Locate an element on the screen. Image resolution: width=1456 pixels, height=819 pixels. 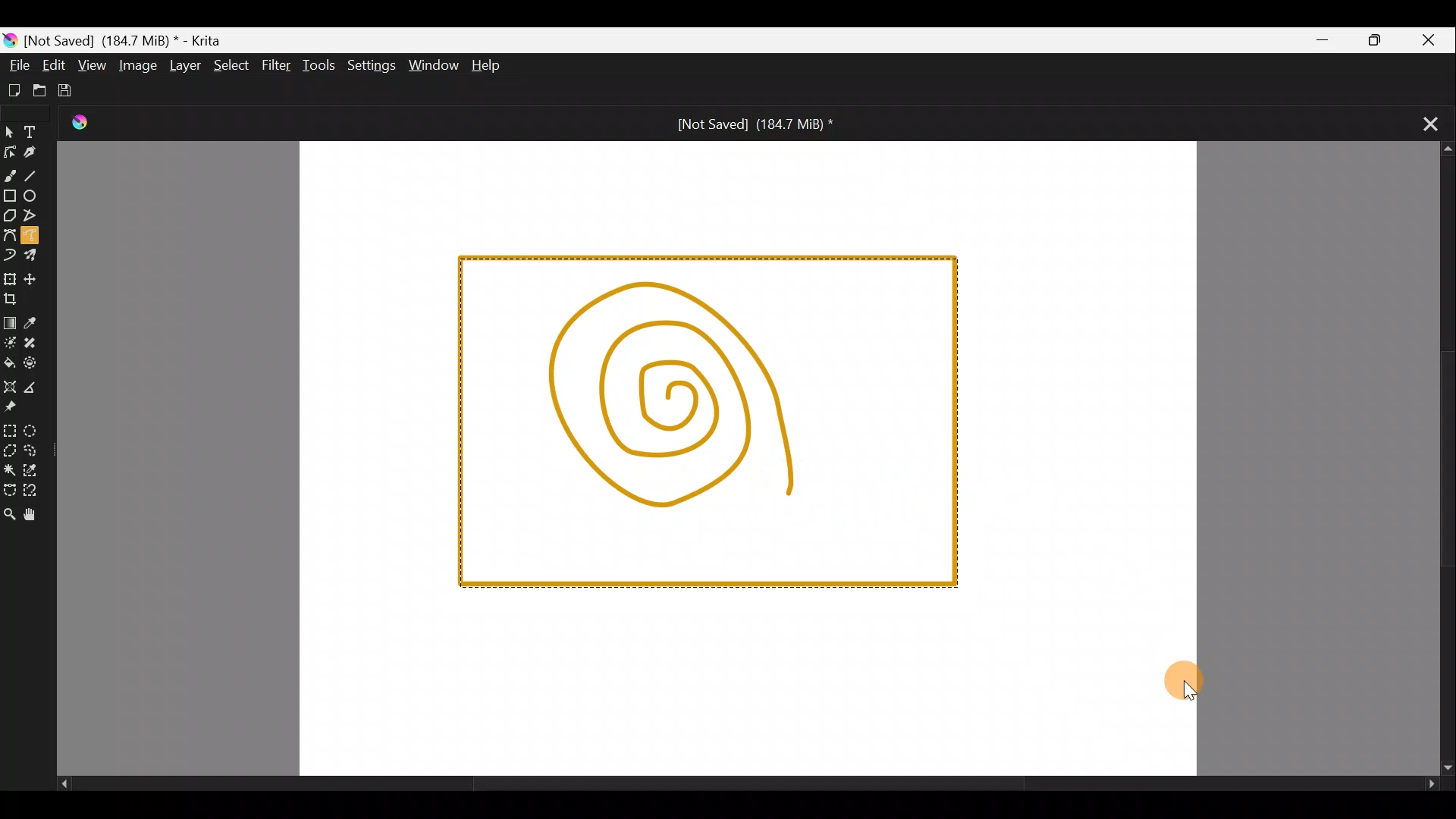
Ellipse tool is located at coordinates (37, 197).